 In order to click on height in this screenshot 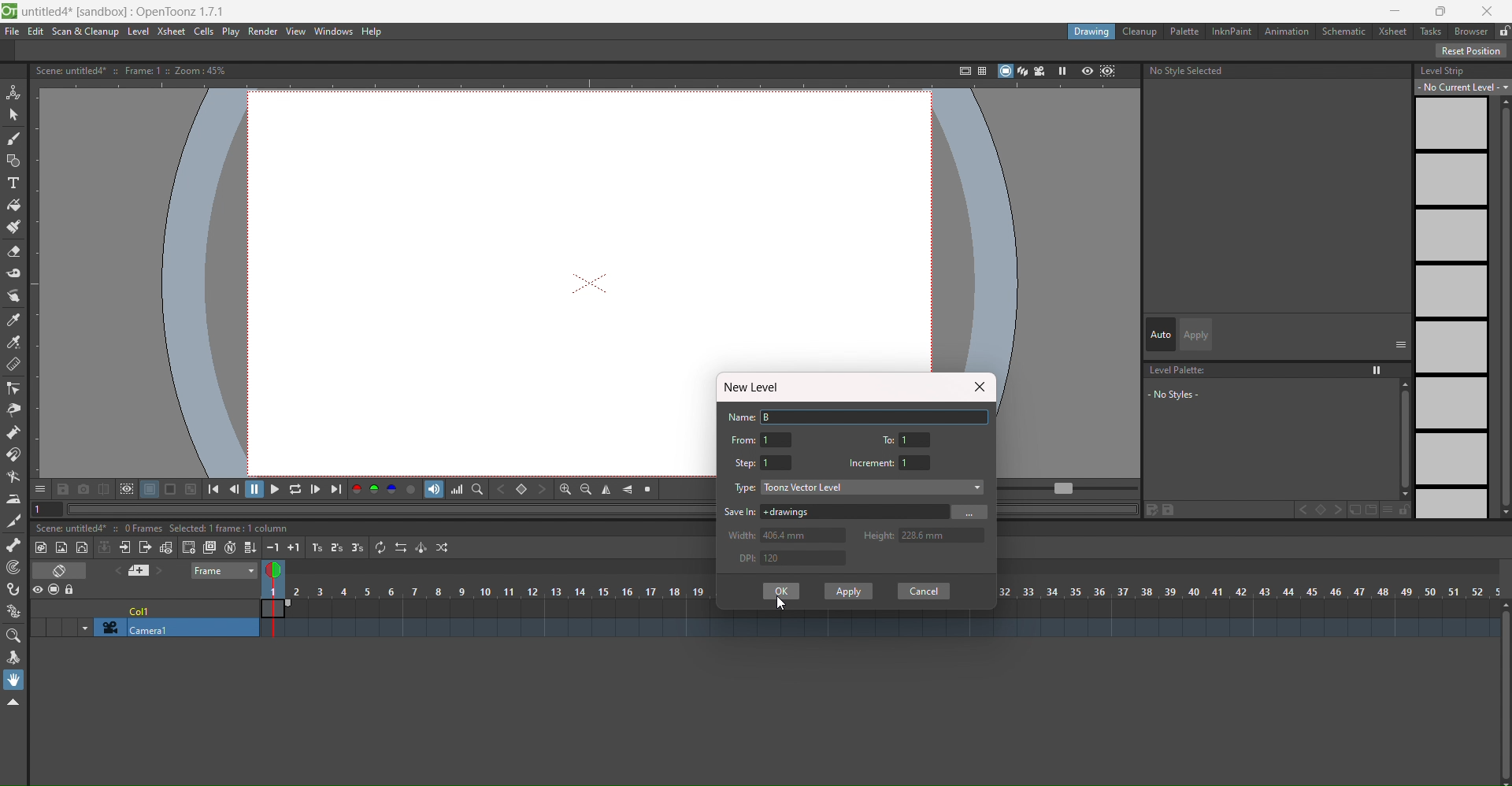, I will do `click(877, 533)`.